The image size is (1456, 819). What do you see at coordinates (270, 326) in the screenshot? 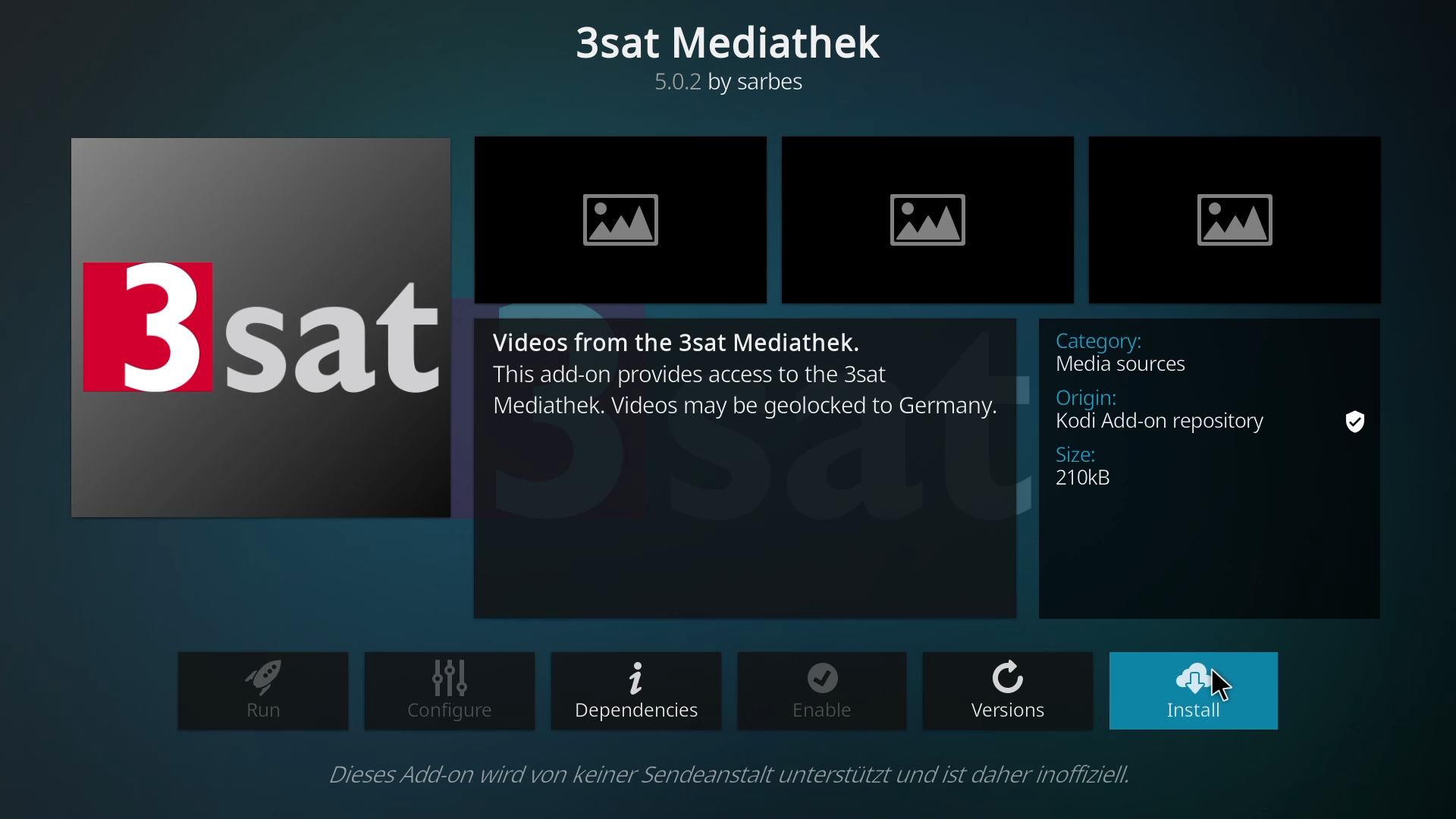
I see `3sat` at bounding box center [270, 326].